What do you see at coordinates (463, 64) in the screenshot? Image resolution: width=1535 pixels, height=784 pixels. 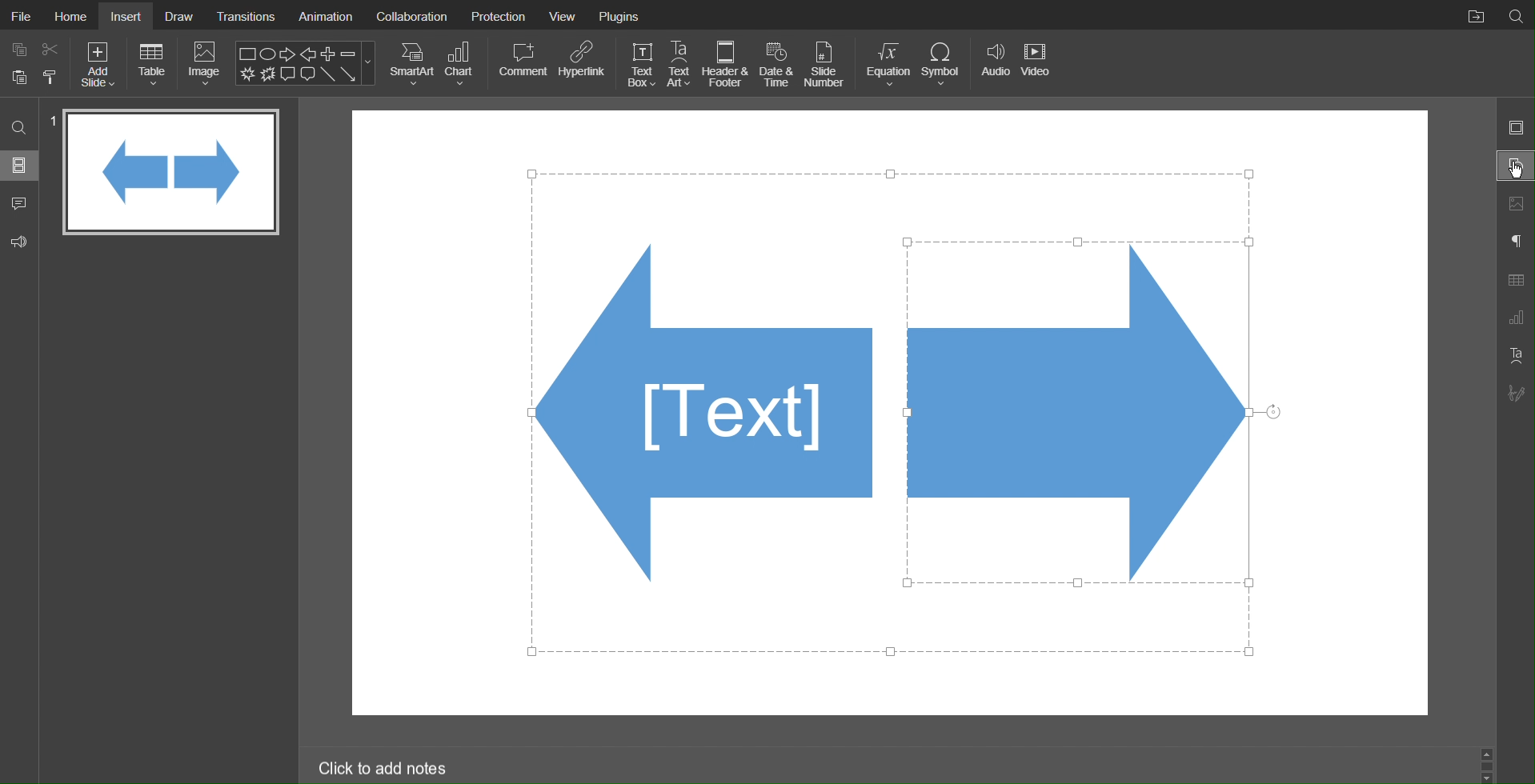 I see `Chart` at bounding box center [463, 64].